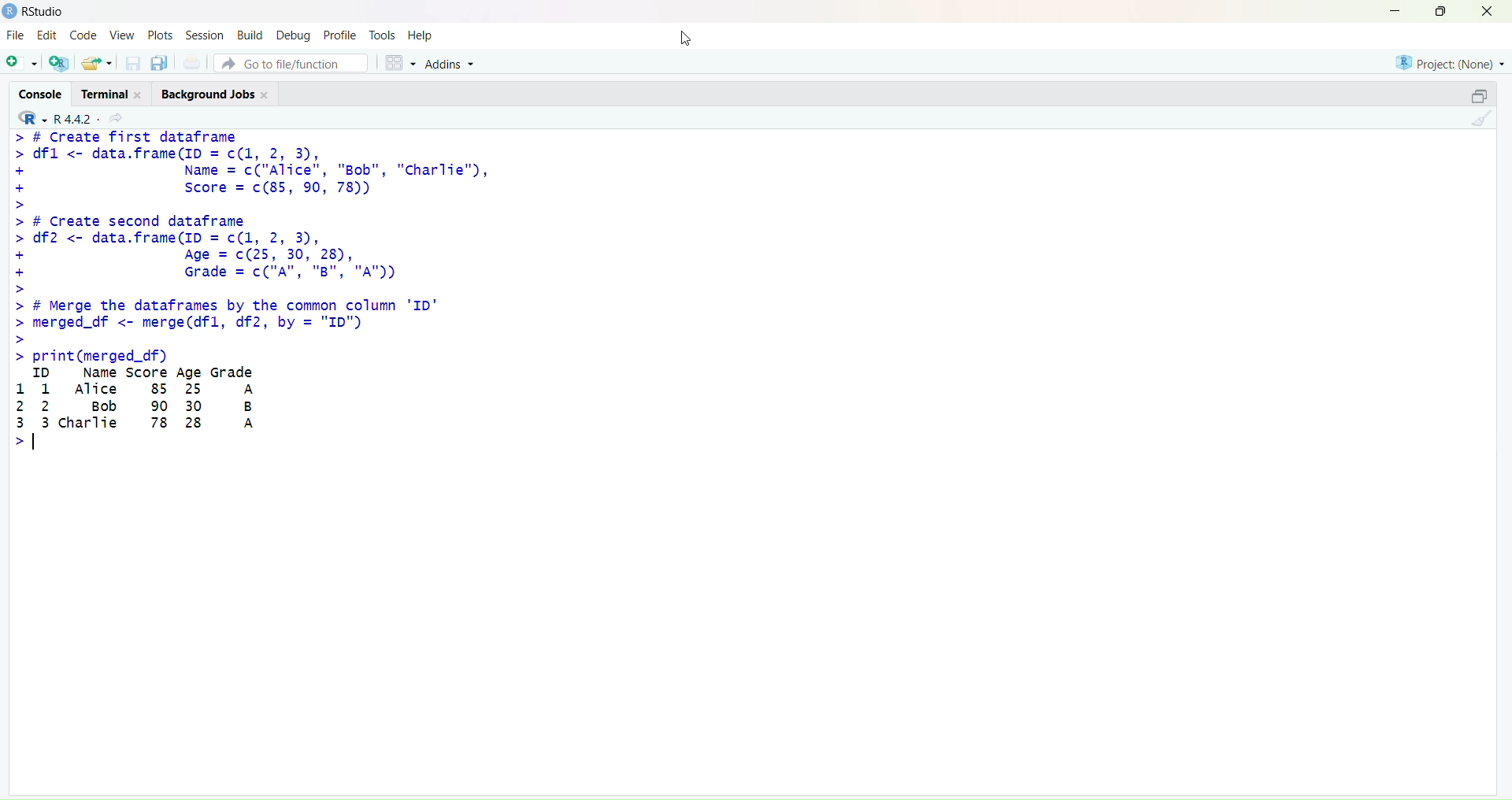  What do you see at coordinates (47, 35) in the screenshot?
I see `Edit` at bounding box center [47, 35].